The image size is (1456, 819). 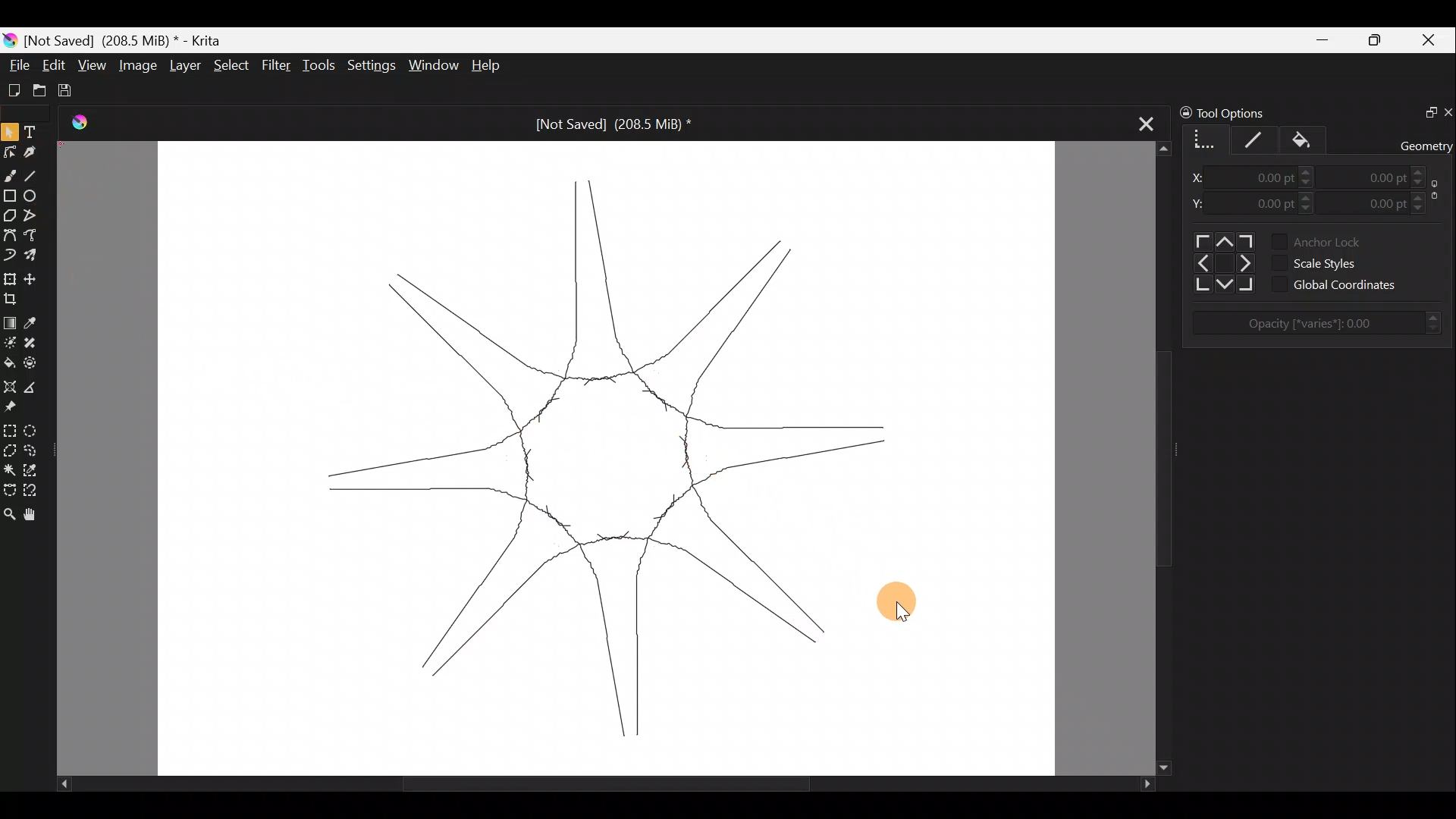 I want to click on Save, so click(x=70, y=91).